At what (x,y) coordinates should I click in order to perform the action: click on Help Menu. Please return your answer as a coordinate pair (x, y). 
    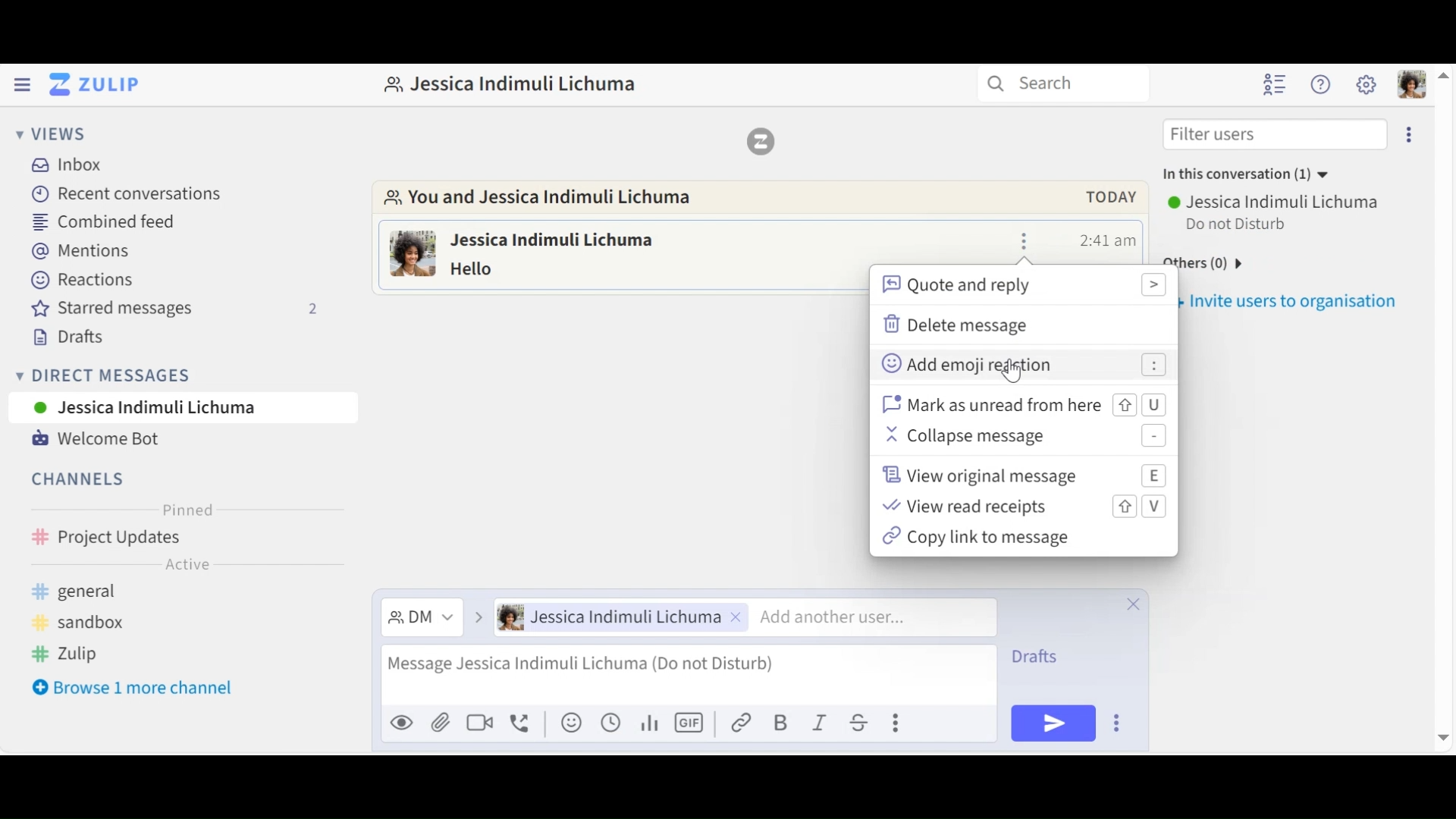
    Looking at the image, I should click on (1321, 83).